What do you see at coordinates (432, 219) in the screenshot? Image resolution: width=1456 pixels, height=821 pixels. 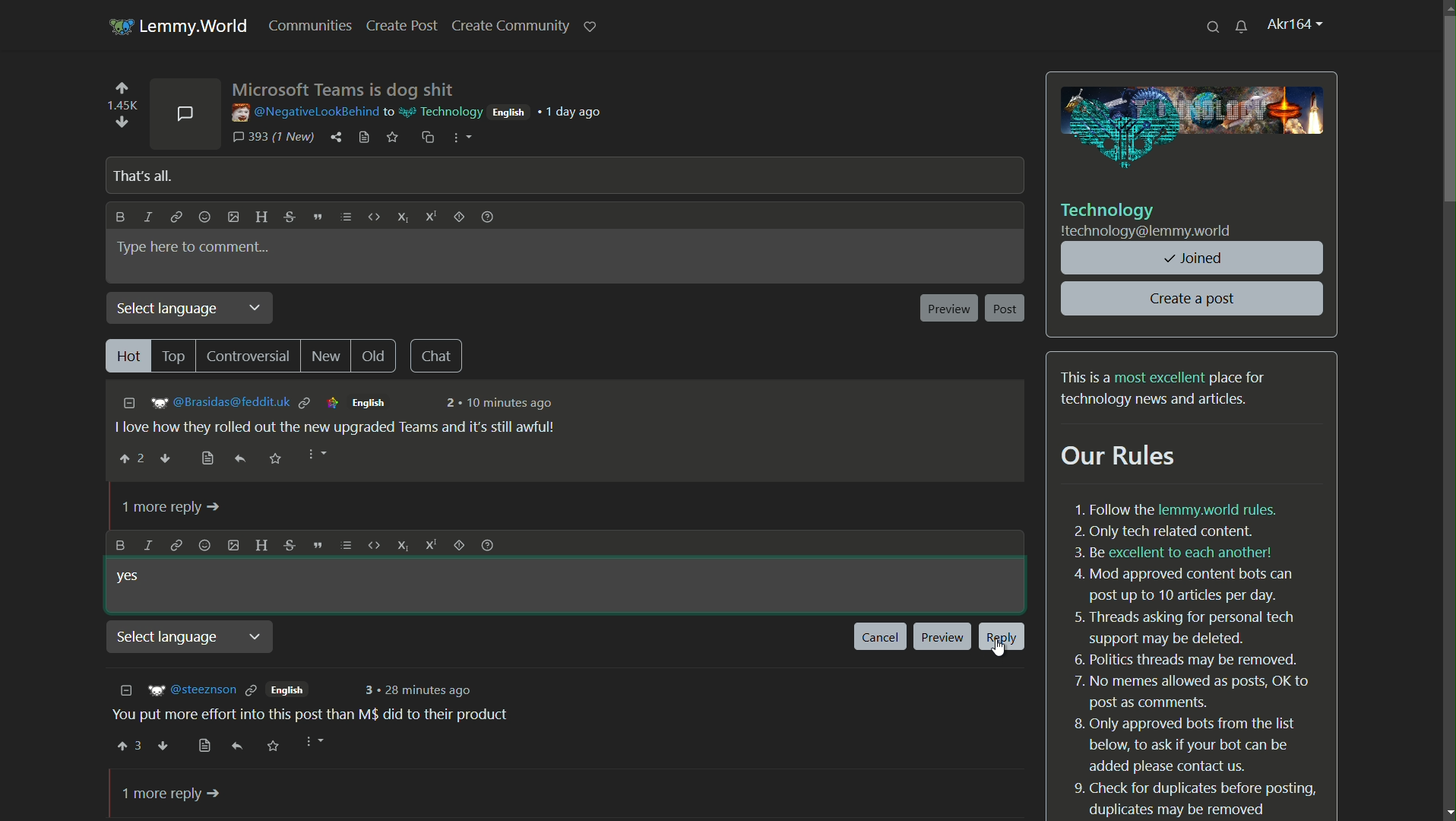 I see `superscript` at bounding box center [432, 219].